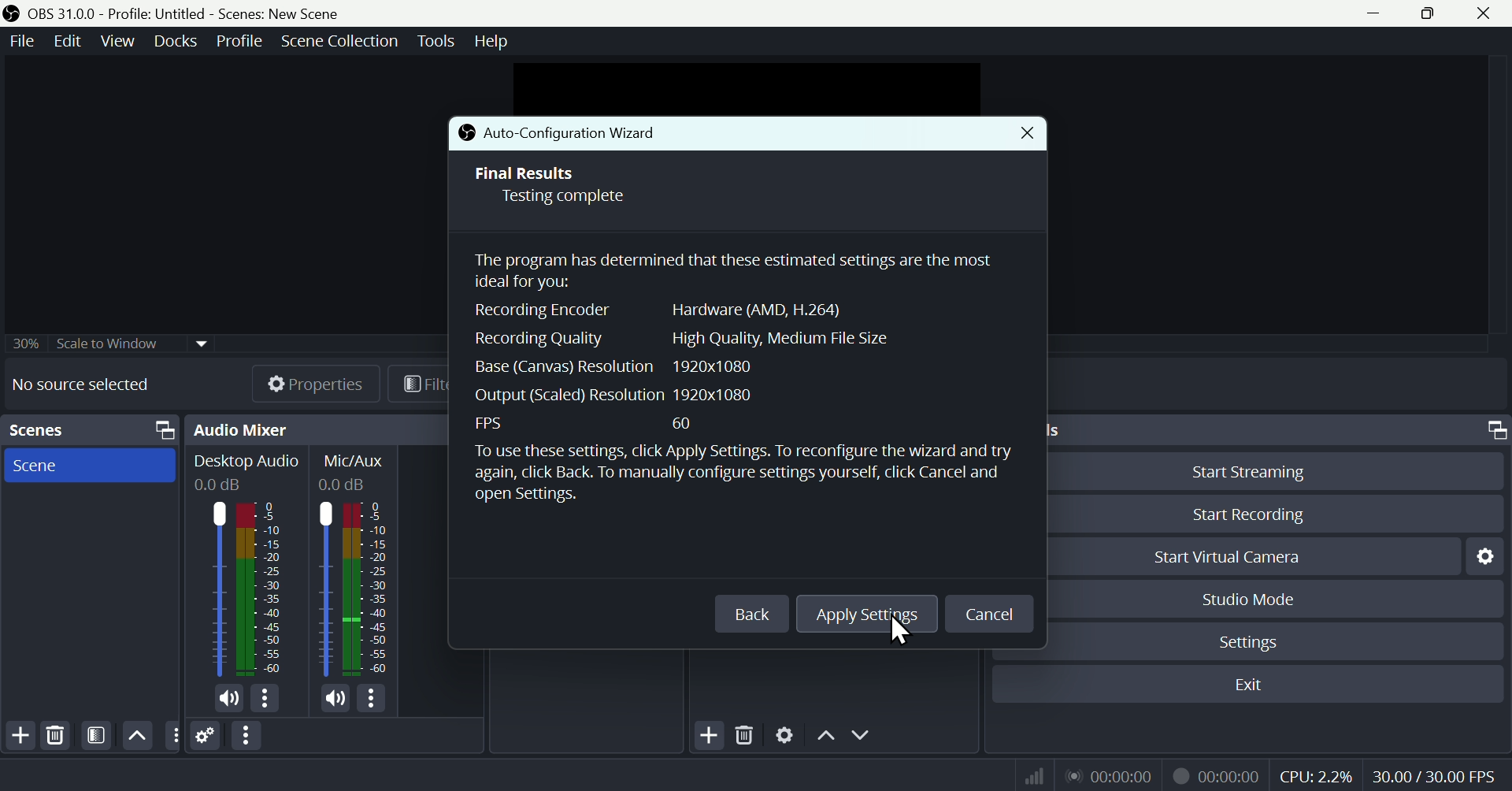  I want to click on OBS 31.0 .0 Profile: Untitled - Scenes:New scene, so click(187, 13).